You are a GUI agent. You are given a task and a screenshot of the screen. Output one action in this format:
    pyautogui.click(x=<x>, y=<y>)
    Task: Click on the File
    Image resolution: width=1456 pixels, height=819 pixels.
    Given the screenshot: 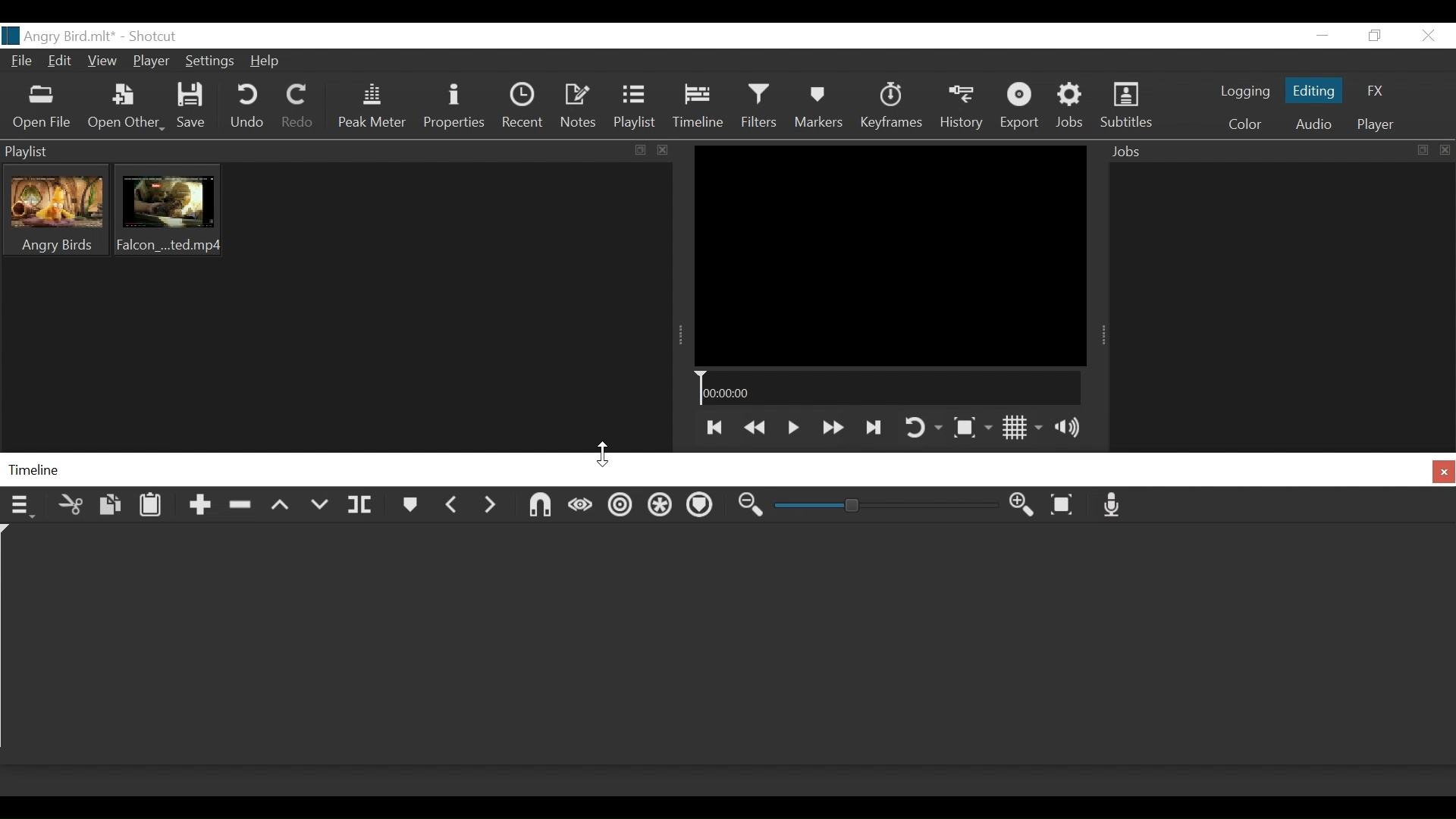 What is the action you would take?
    pyautogui.click(x=21, y=63)
    